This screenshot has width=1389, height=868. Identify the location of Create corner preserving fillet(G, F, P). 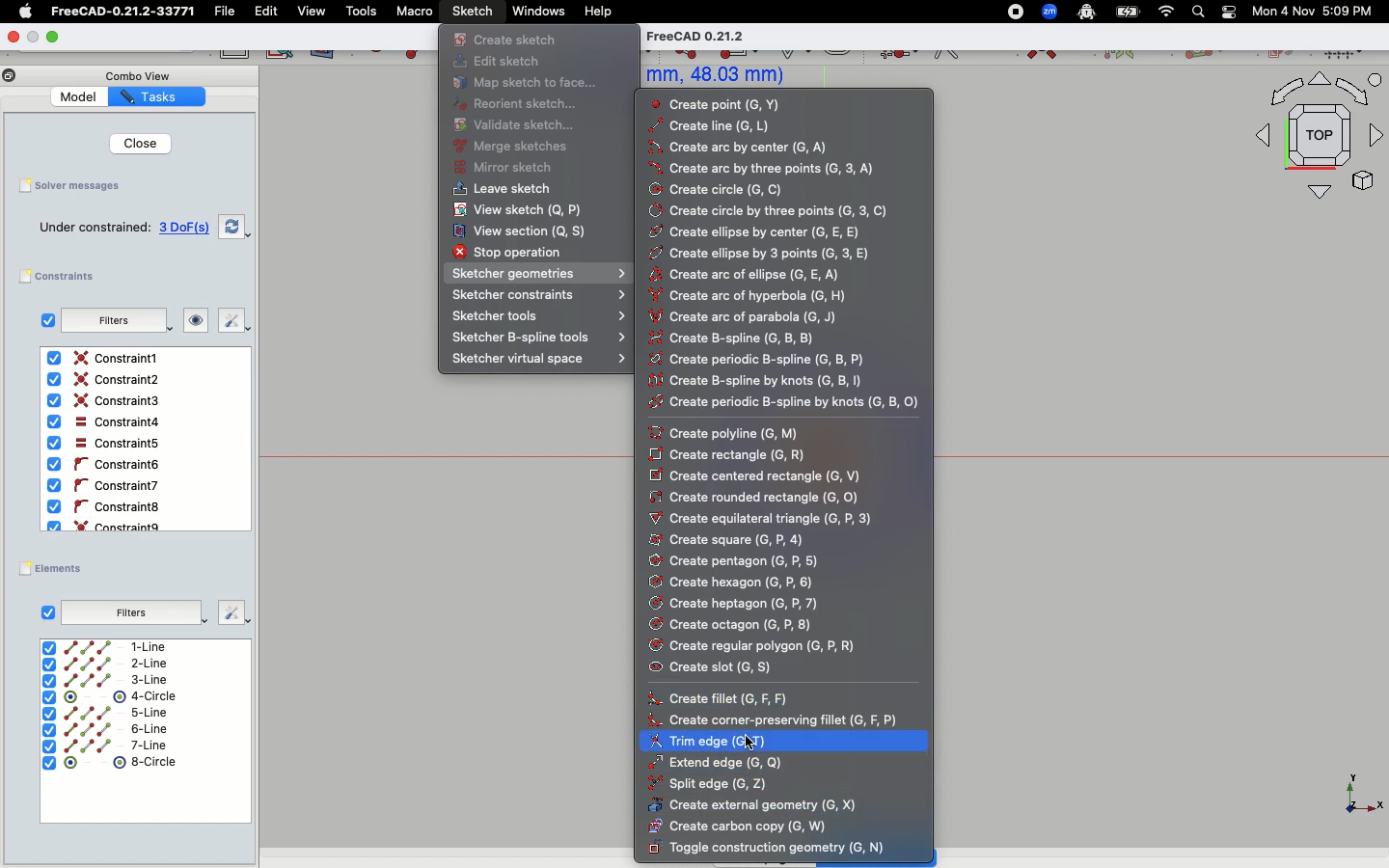
(778, 719).